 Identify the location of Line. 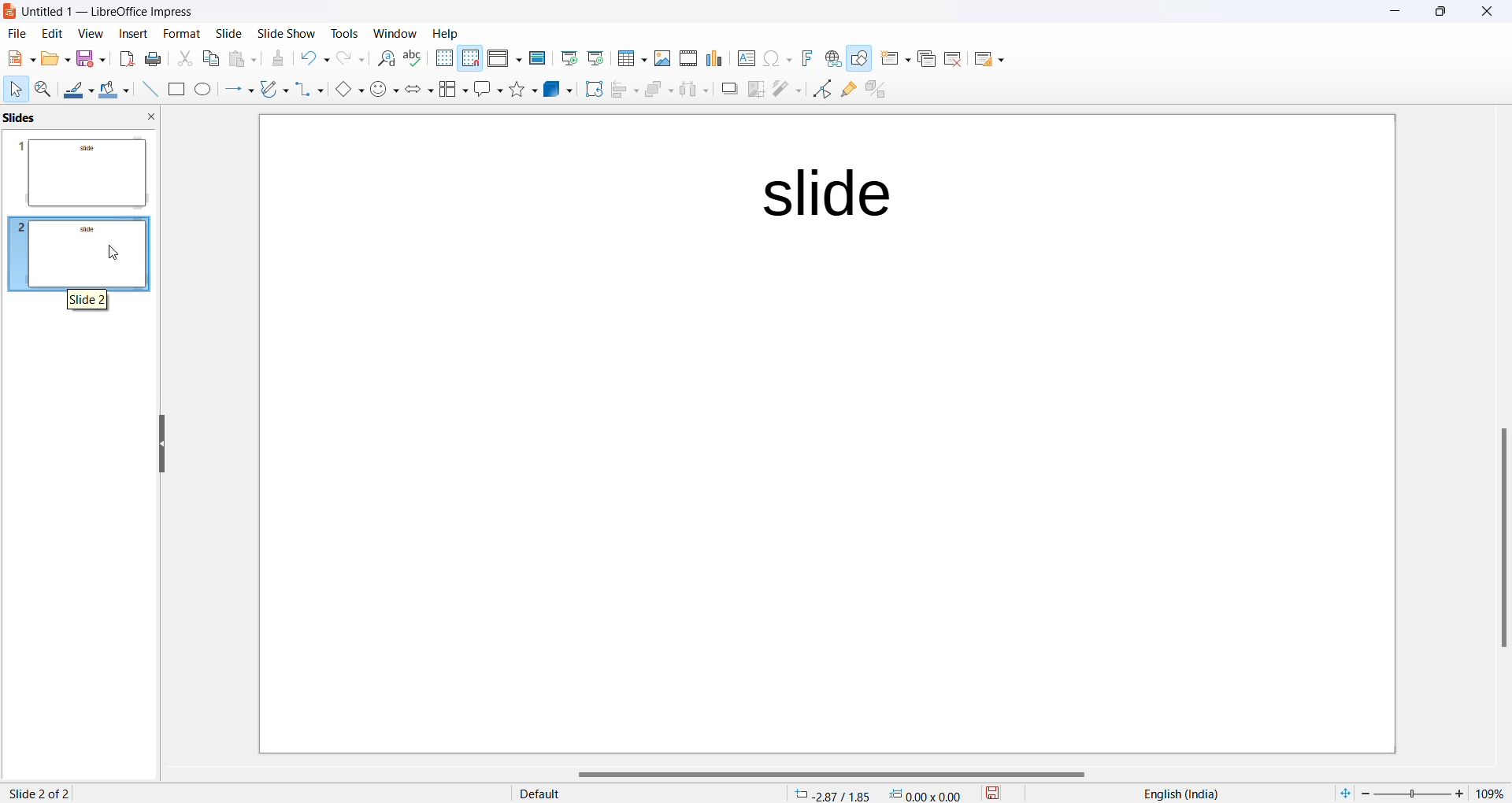
(145, 90).